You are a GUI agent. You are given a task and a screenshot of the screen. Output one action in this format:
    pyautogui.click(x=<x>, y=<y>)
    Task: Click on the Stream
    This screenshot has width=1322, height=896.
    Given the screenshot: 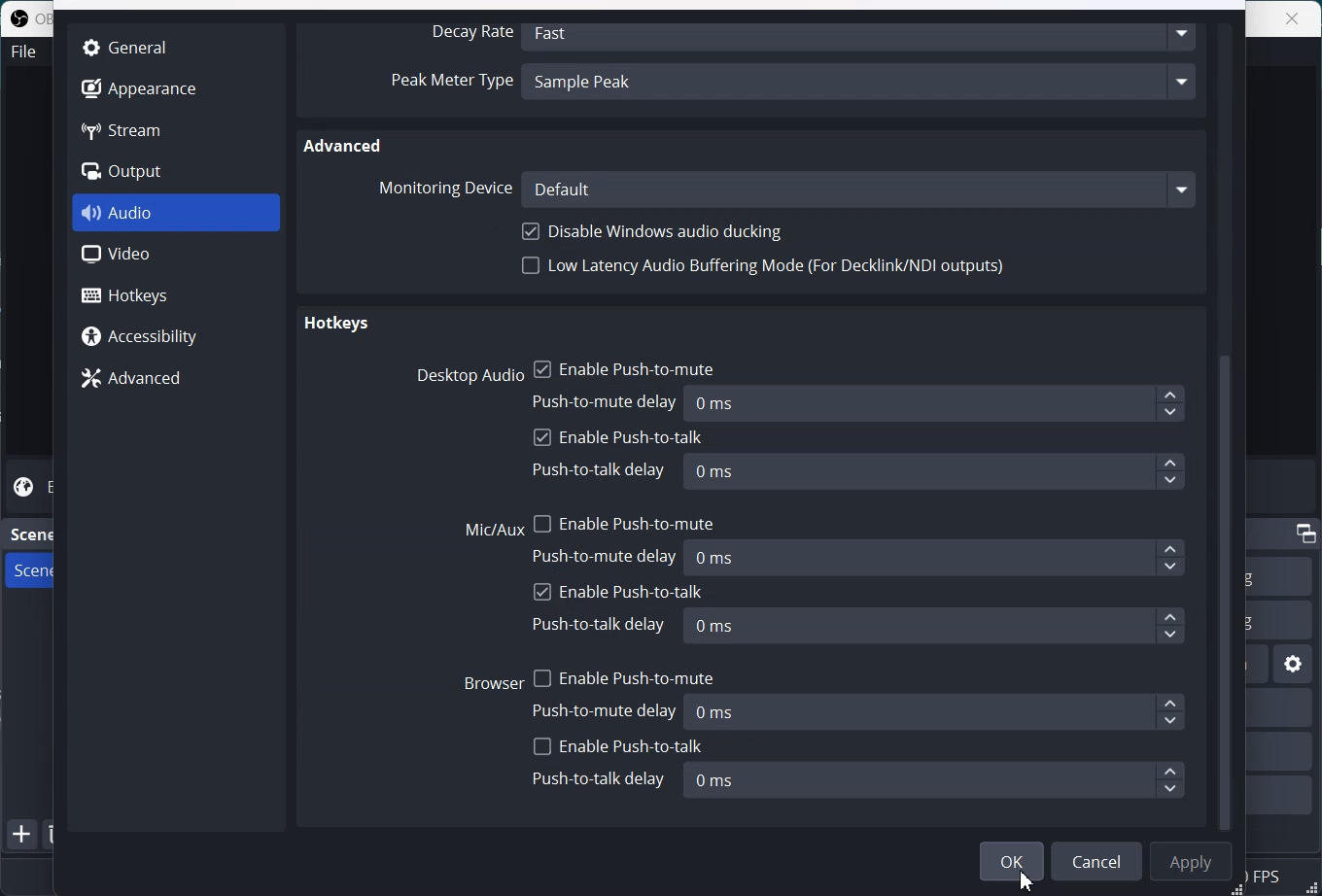 What is the action you would take?
    pyautogui.click(x=138, y=129)
    